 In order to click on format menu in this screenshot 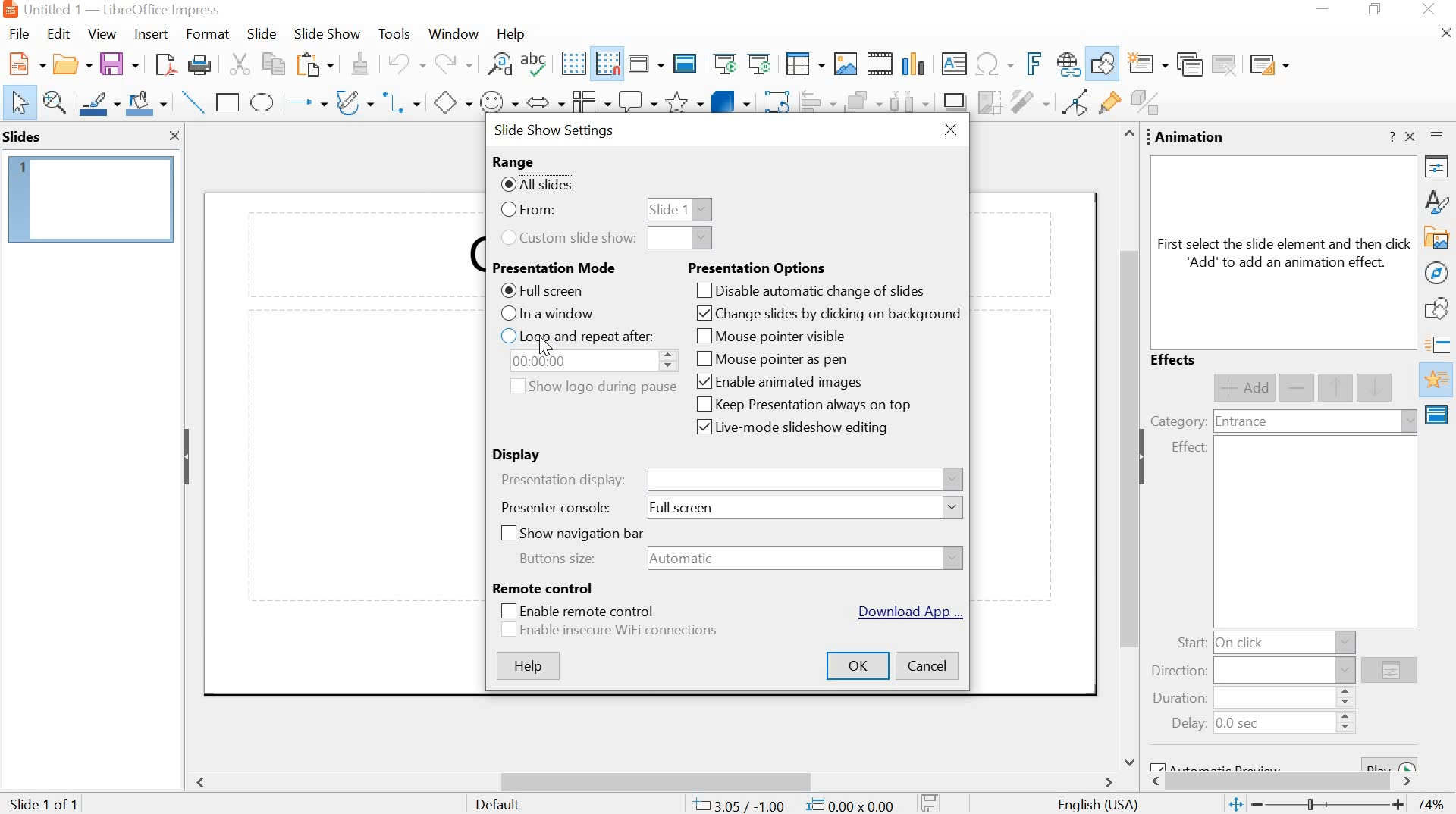, I will do `click(206, 34)`.